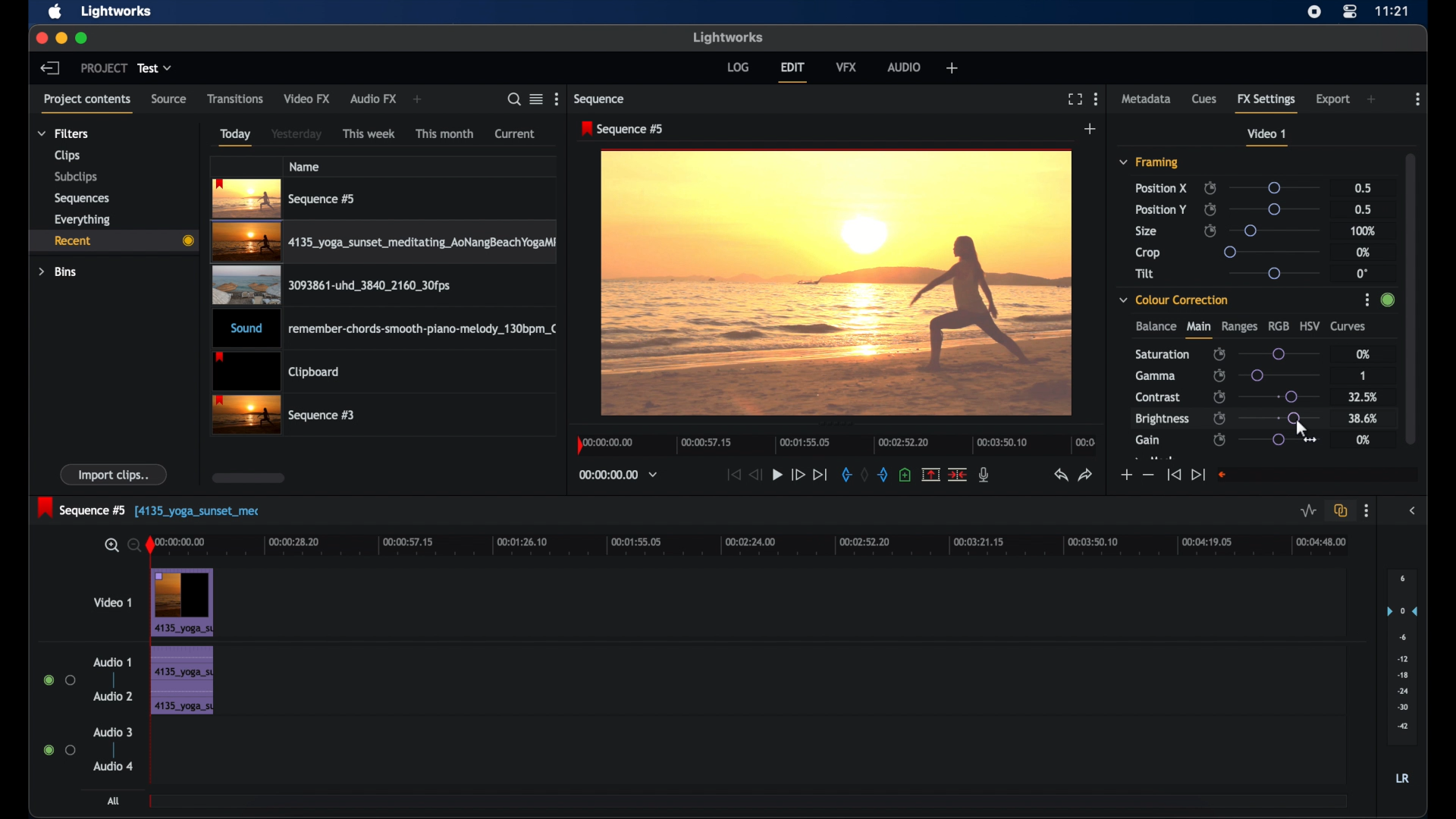  Describe the element at coordinates (1279, 396) in the screenshot. I see `slider` at that location.